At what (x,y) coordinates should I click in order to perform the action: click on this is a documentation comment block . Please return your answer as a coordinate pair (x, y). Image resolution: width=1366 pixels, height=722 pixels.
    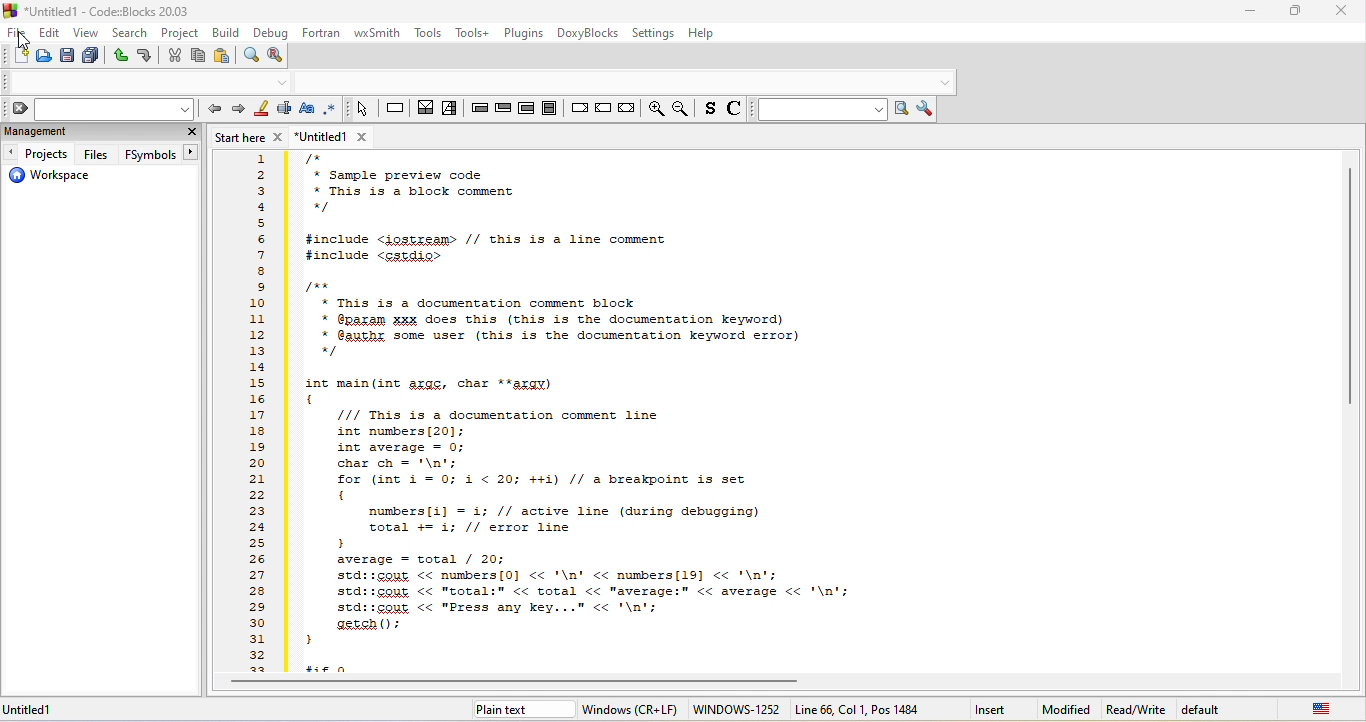
    Looking at the image, I should click on (780, 410).